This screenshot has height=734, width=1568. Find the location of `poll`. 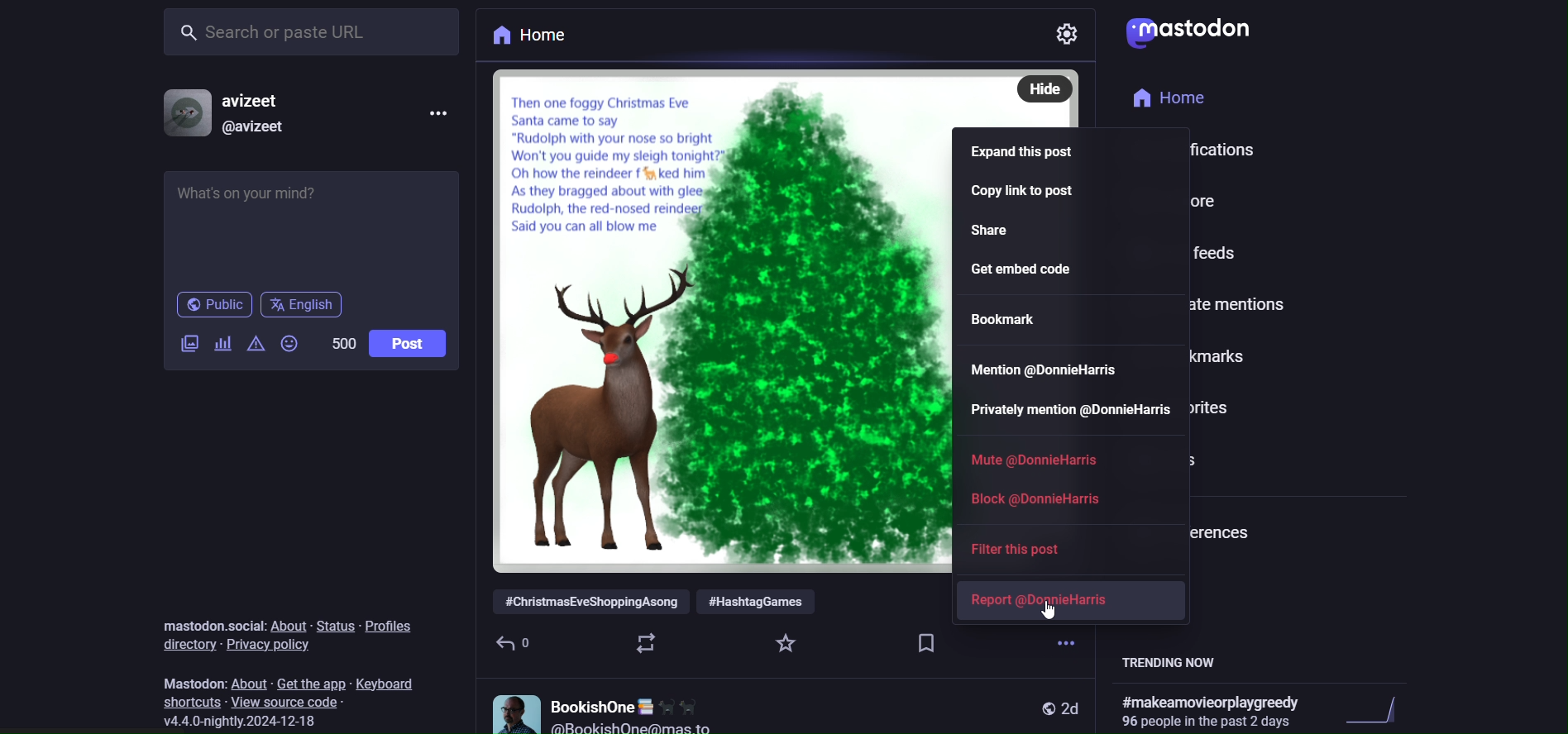

poll is located at coordinates (222, 342).